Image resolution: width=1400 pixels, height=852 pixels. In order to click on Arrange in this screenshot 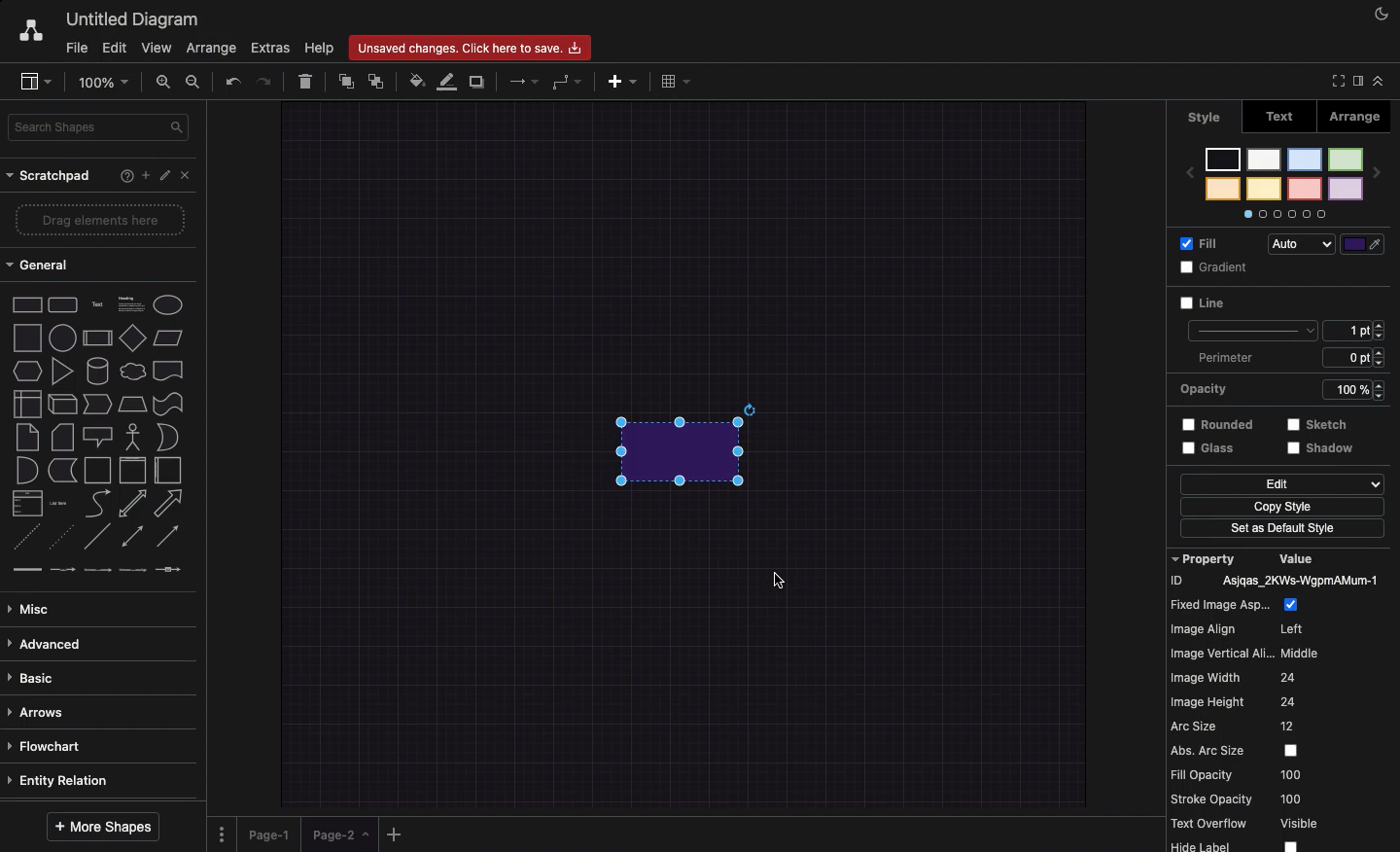, I will do `click(1364, 115)`.